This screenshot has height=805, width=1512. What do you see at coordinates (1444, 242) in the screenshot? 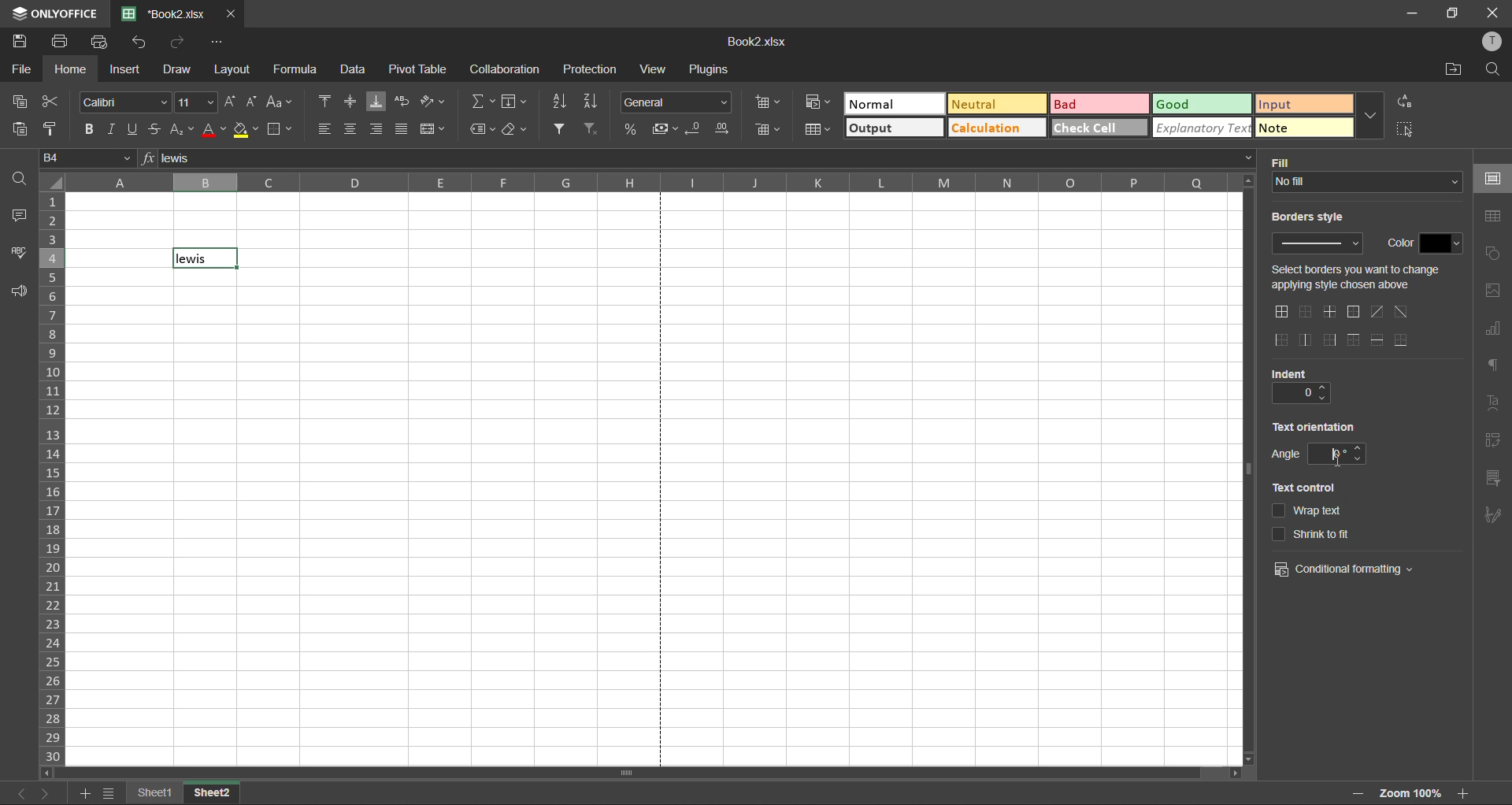
I see `change color` at bounding box center [1444, 242].